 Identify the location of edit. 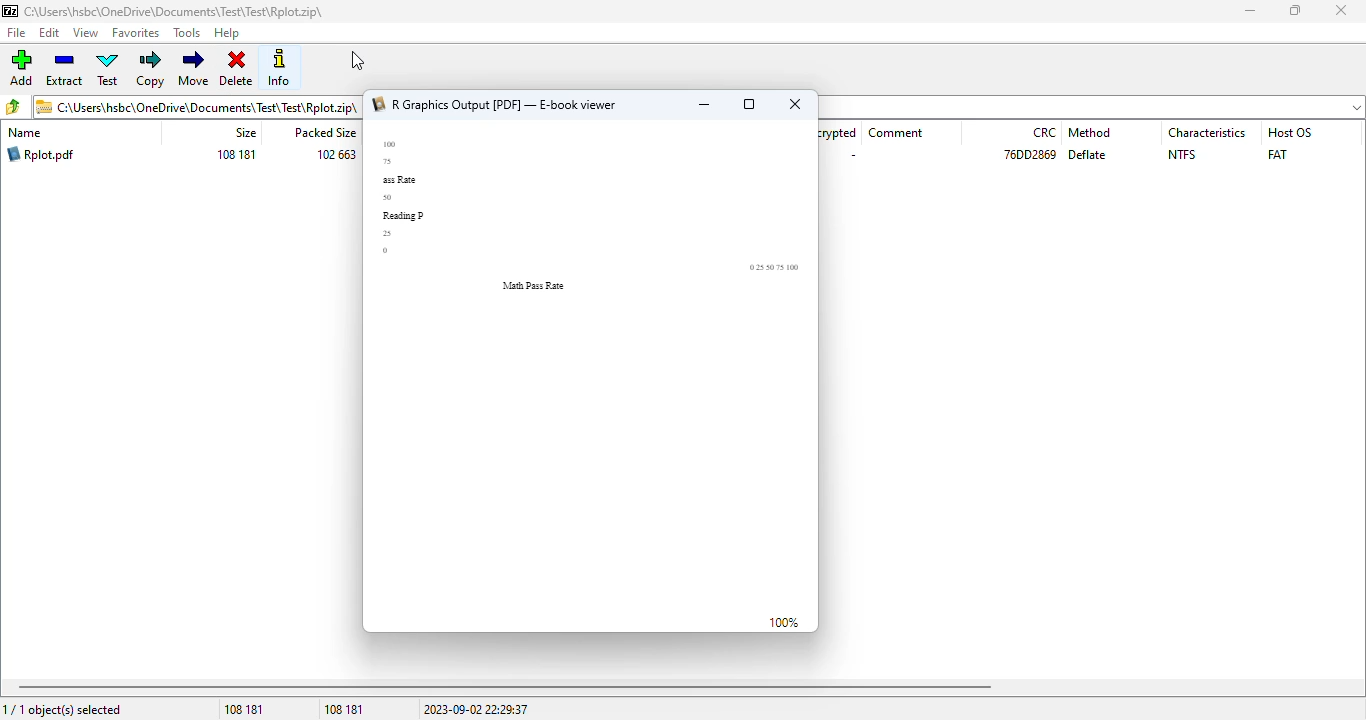
(50, 33).